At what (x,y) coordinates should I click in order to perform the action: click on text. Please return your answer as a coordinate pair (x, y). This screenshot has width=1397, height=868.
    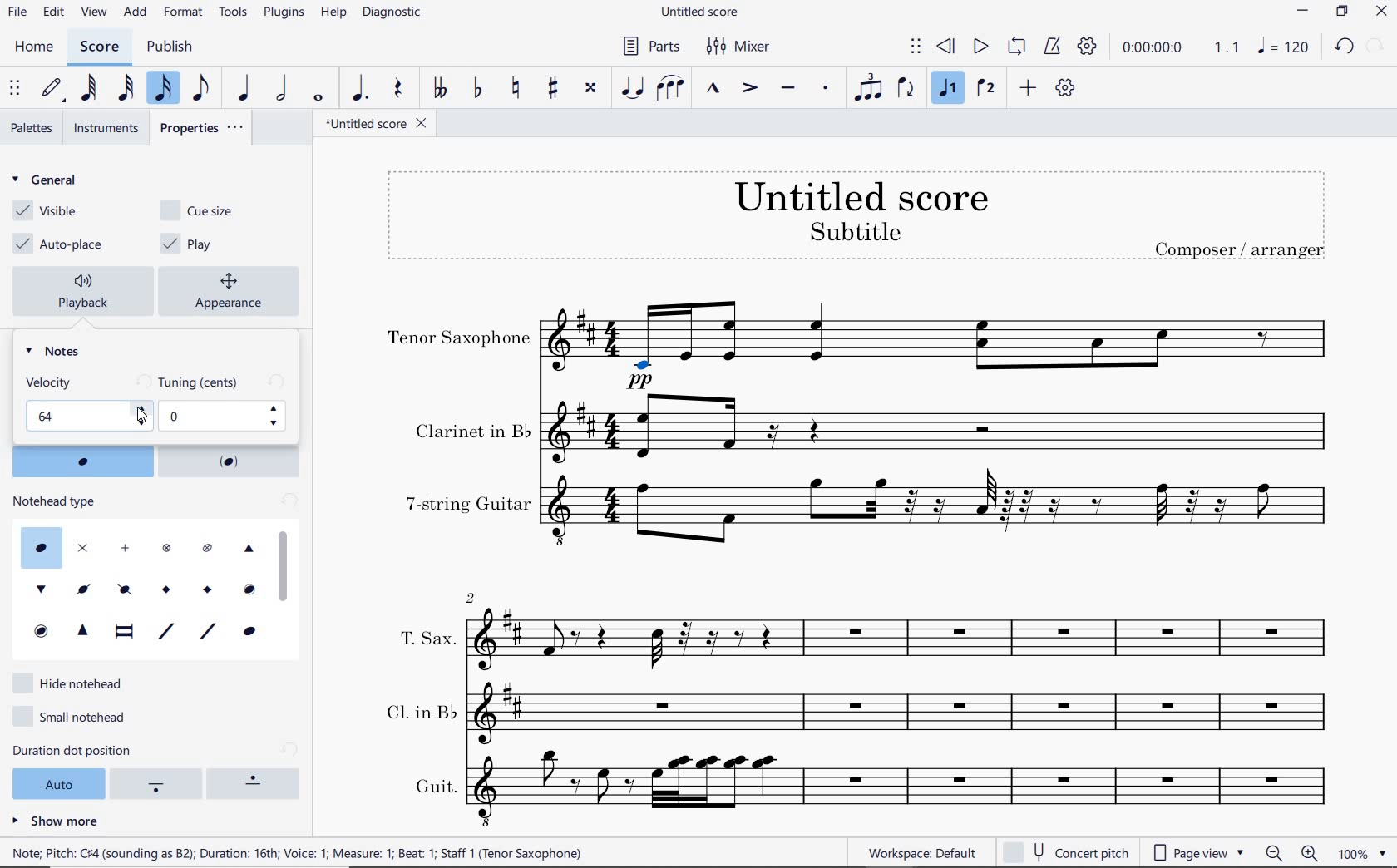
    Looking at the image, I should click on (418, 709).